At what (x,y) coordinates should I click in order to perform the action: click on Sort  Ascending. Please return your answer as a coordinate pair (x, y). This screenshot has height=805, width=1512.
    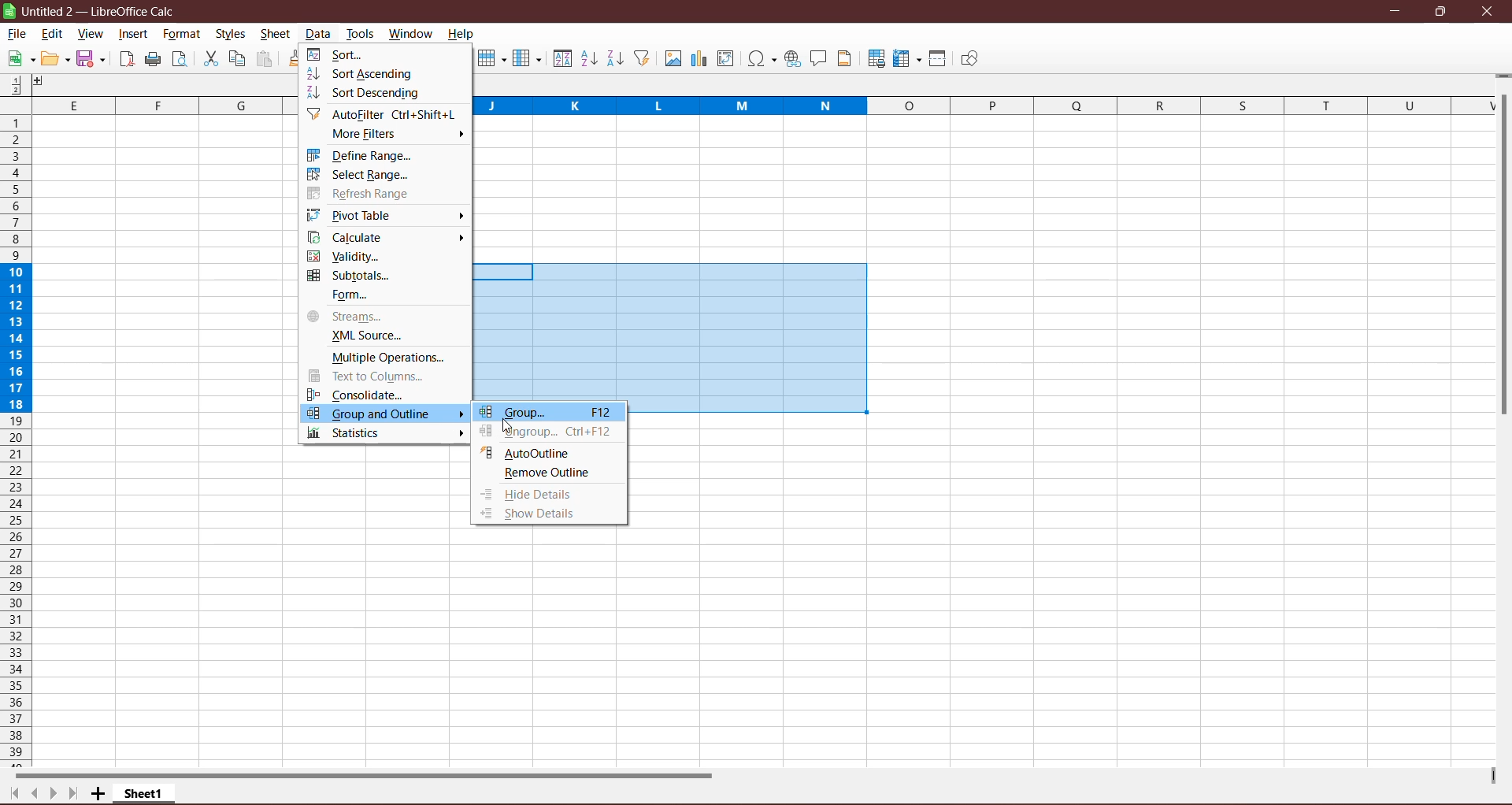
    Looking at the image, I should click on (588, 58).